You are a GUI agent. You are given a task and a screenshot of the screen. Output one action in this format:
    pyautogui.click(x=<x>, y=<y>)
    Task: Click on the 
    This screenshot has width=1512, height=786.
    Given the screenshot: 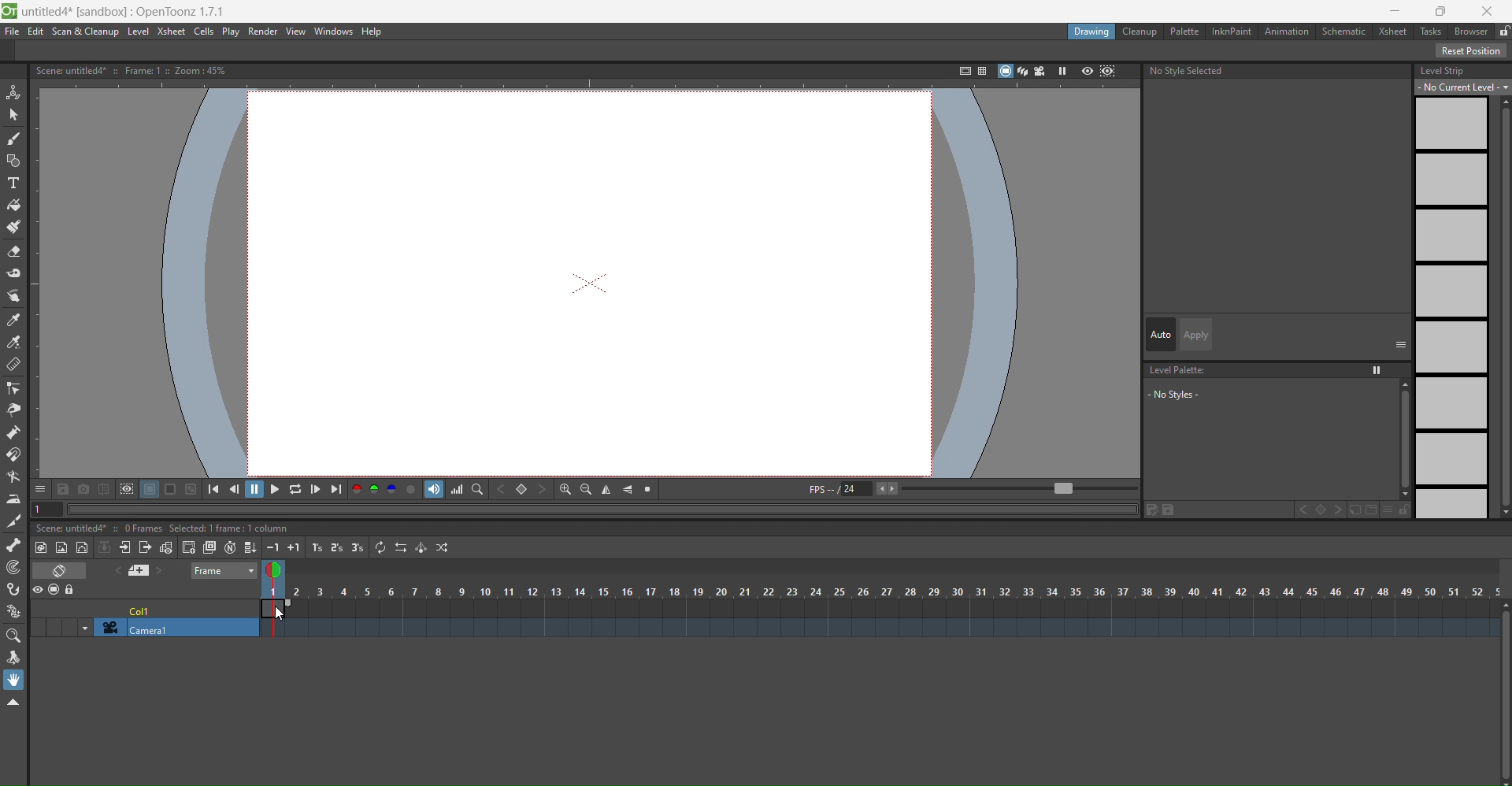 What is the action you would take?
    pyautogui.click(x=56, y=588)
    